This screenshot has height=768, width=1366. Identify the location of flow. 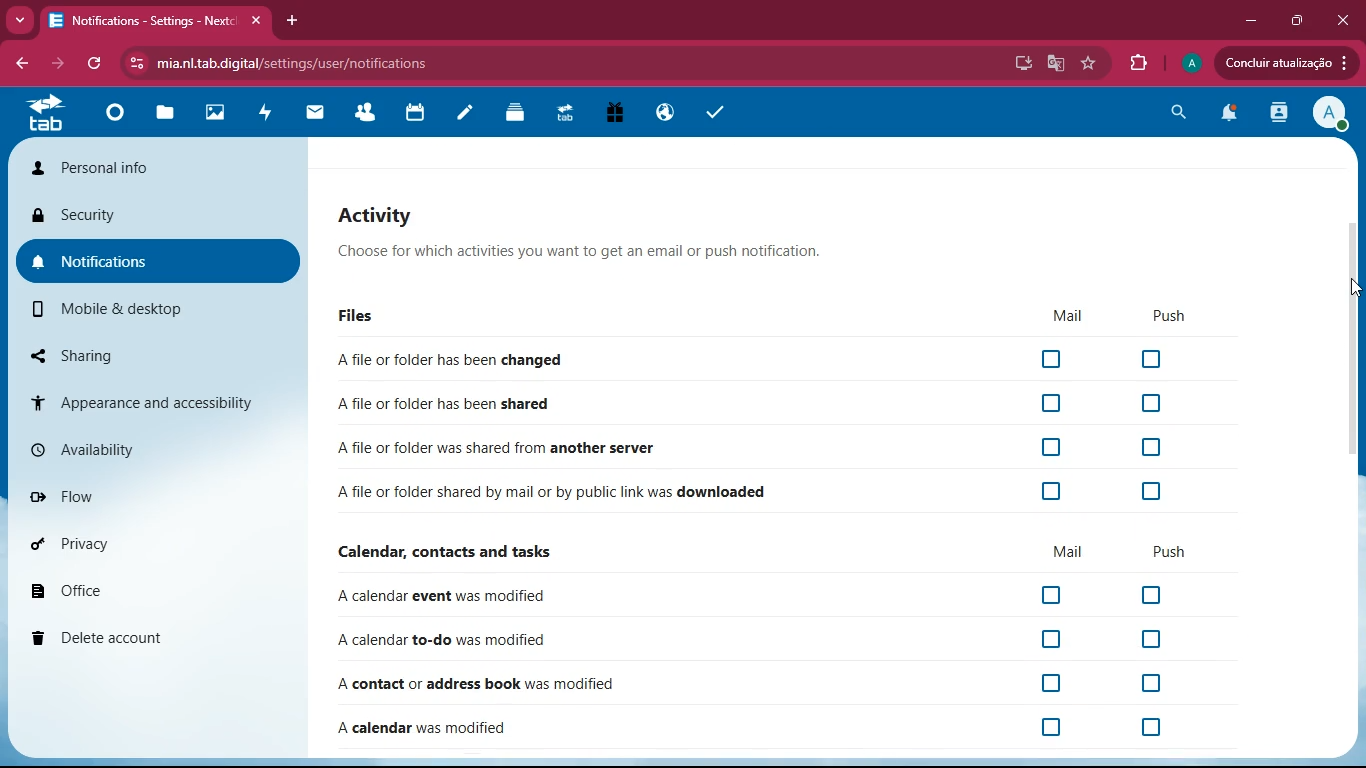
(162, 495).